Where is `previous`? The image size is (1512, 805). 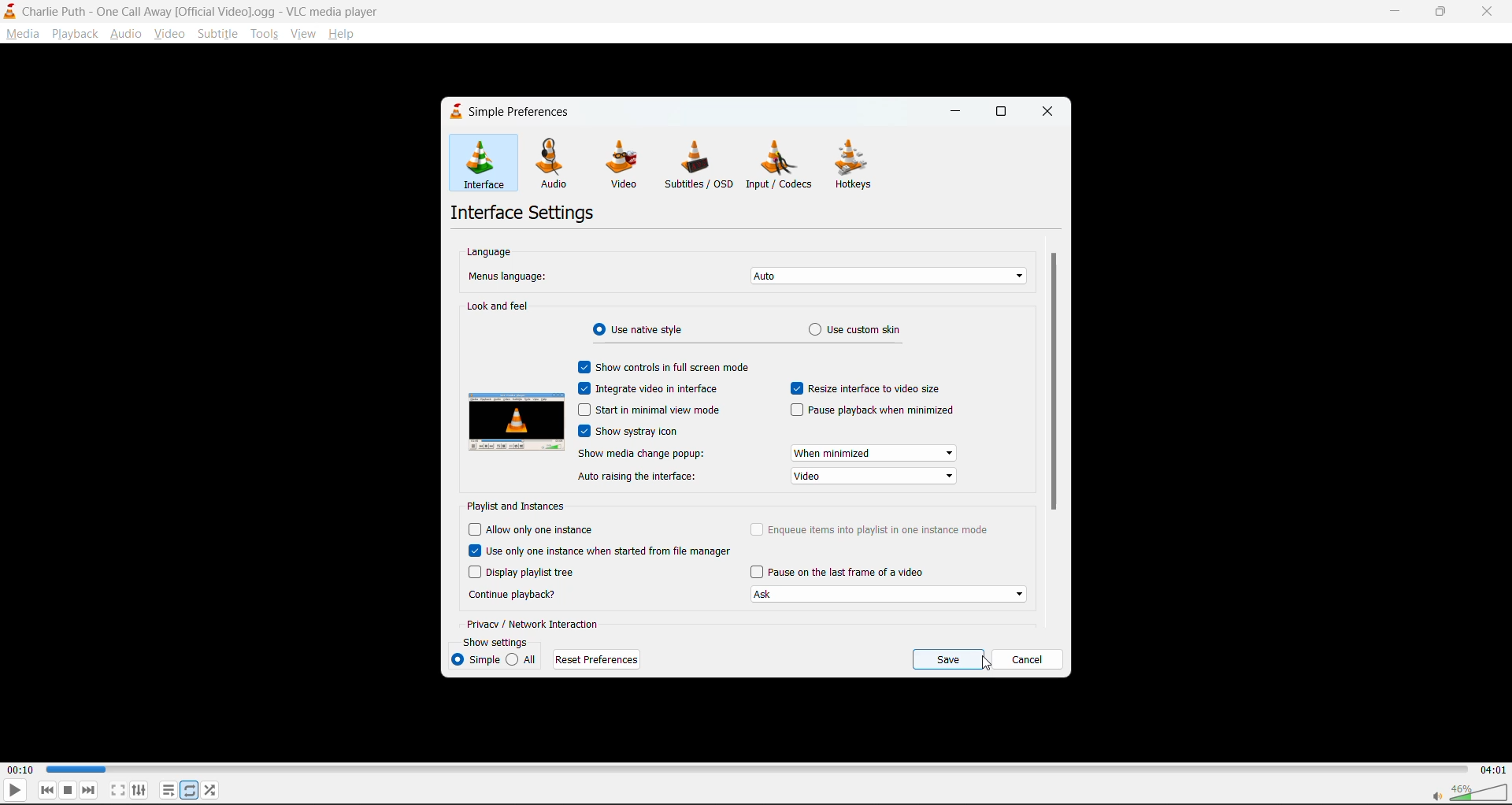
previous is located at coordinates (46, 791).